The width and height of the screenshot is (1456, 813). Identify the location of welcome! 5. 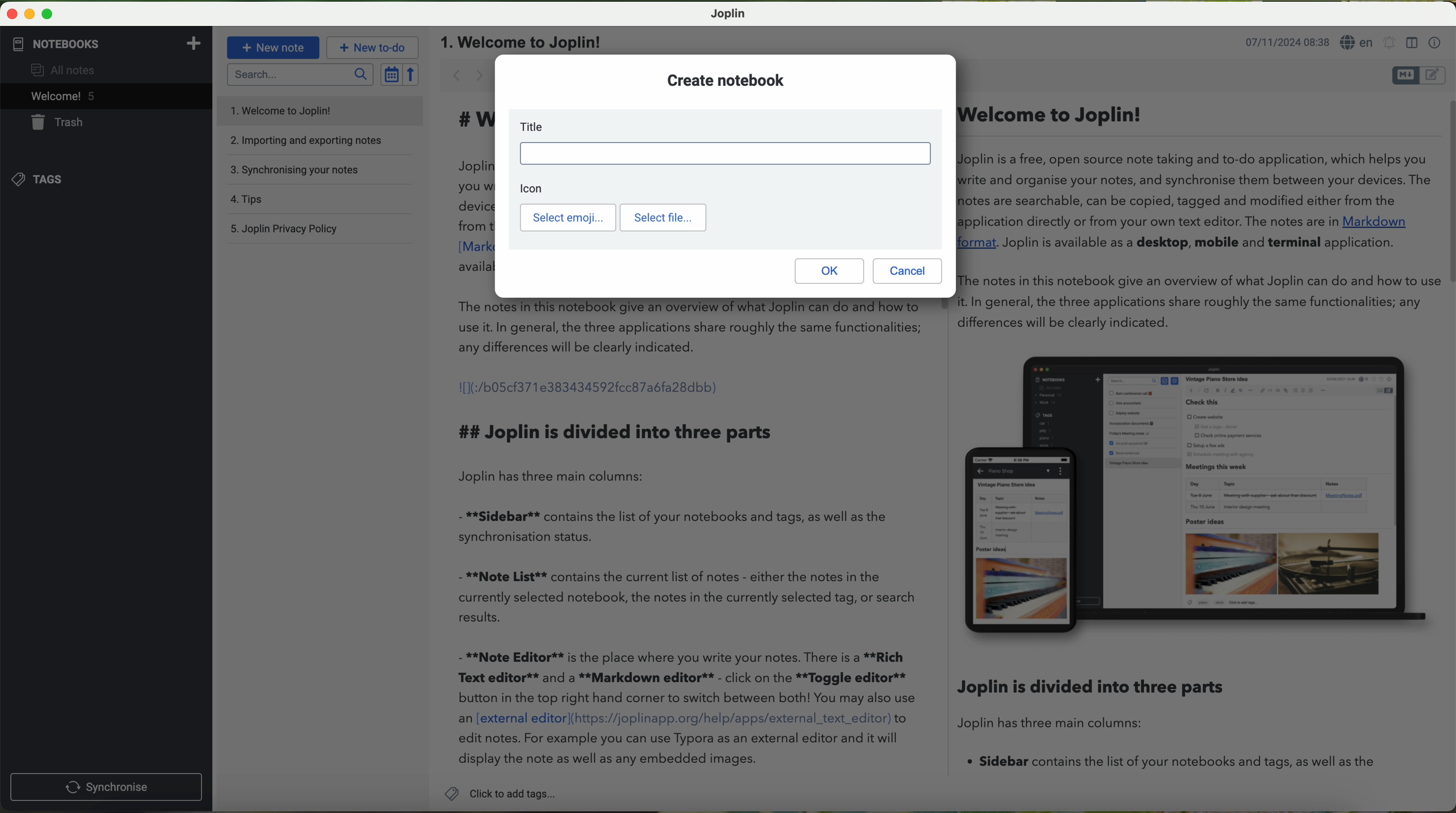
(54, 97).